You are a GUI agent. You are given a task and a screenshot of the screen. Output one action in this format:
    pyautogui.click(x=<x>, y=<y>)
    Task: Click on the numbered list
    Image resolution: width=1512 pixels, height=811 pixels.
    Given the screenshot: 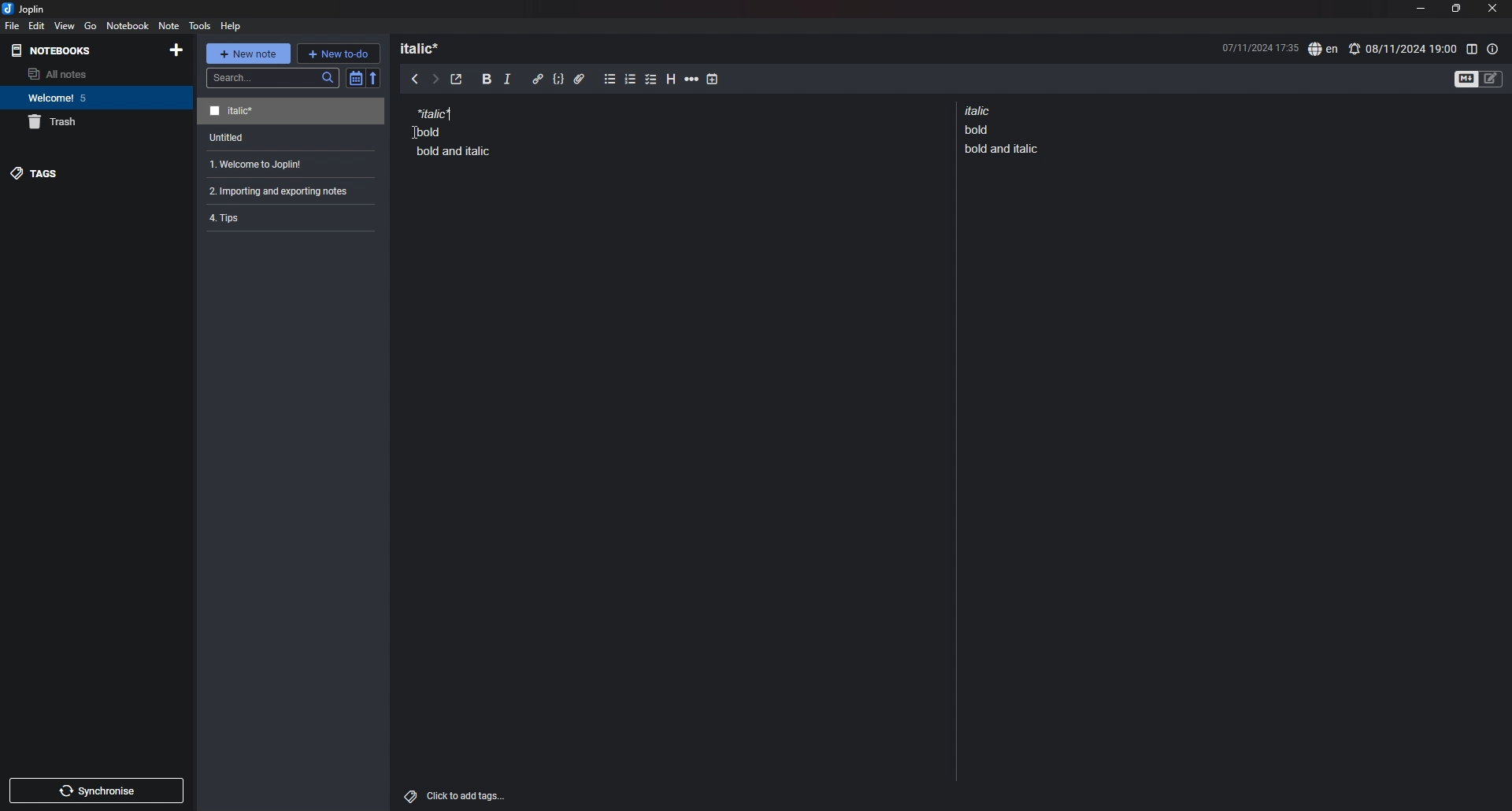 What is the action you would take?
    pyautogui.click(x=631, y=81)
    